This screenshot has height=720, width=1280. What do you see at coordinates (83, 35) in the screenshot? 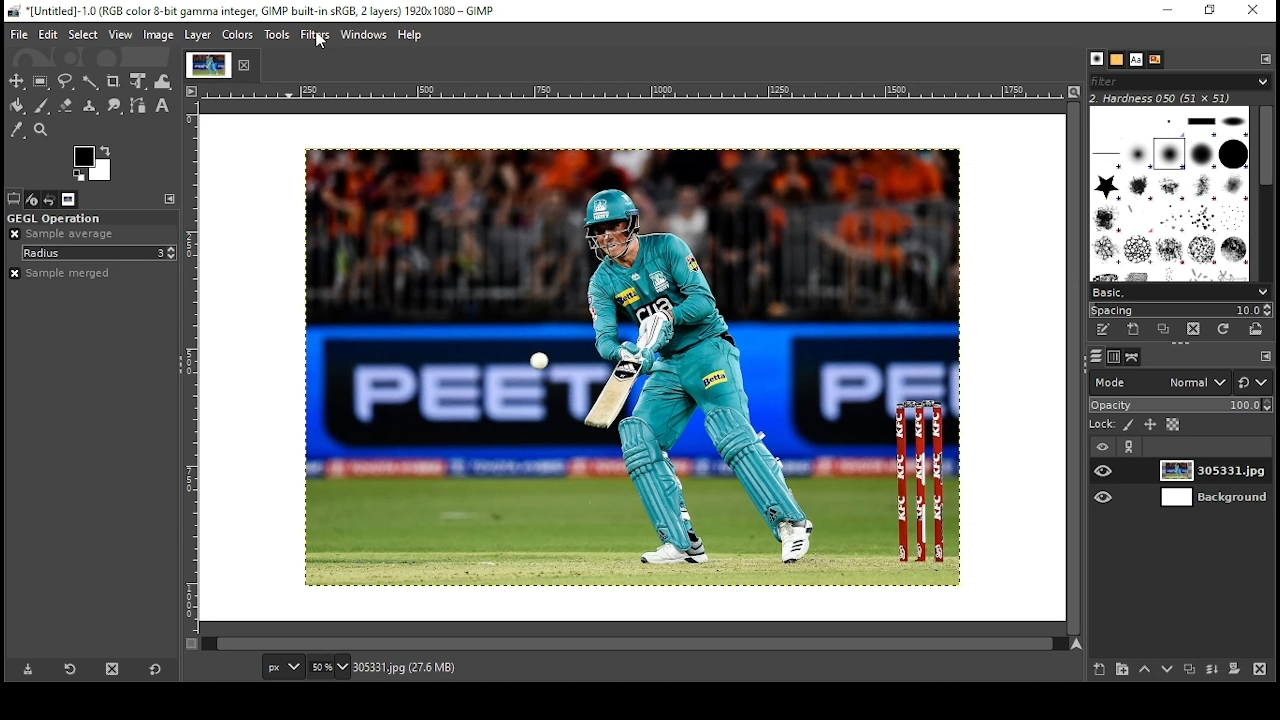
I see `select` at bounding box center [83, 35].